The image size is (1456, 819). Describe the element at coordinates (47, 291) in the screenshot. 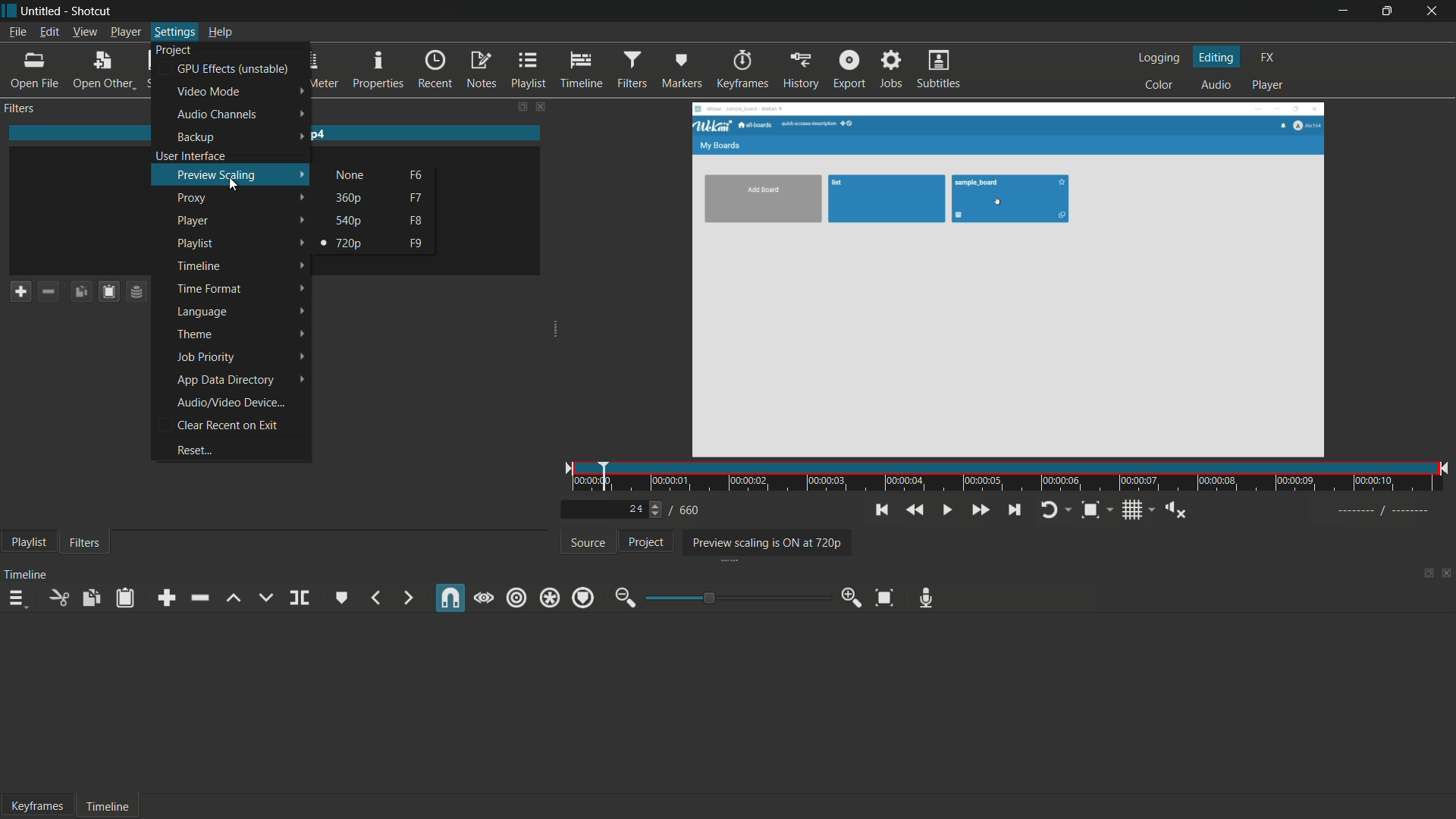

I see `remove a filter` at that location.